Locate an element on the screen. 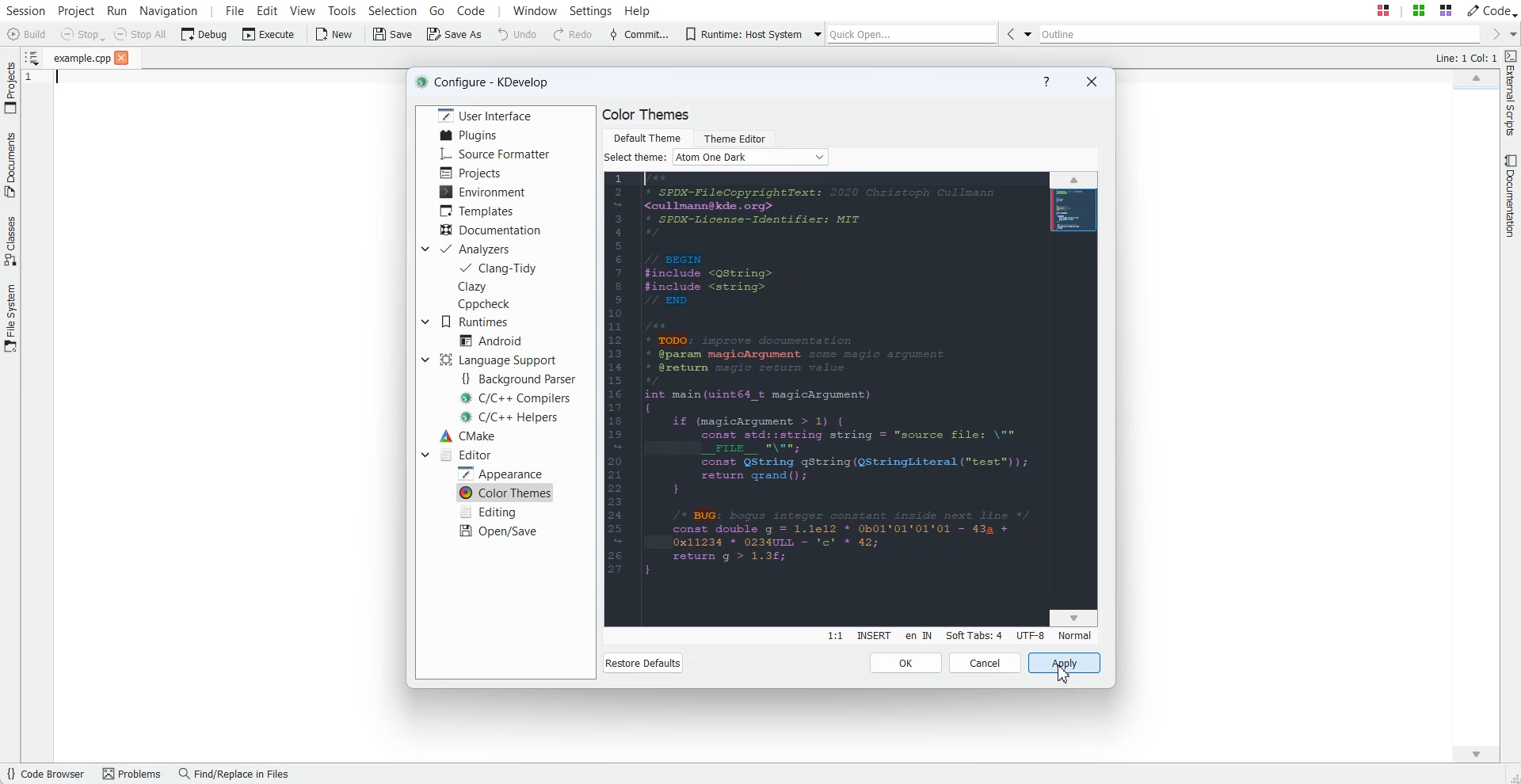  Drop Down box is located at coordinates (425, 322).